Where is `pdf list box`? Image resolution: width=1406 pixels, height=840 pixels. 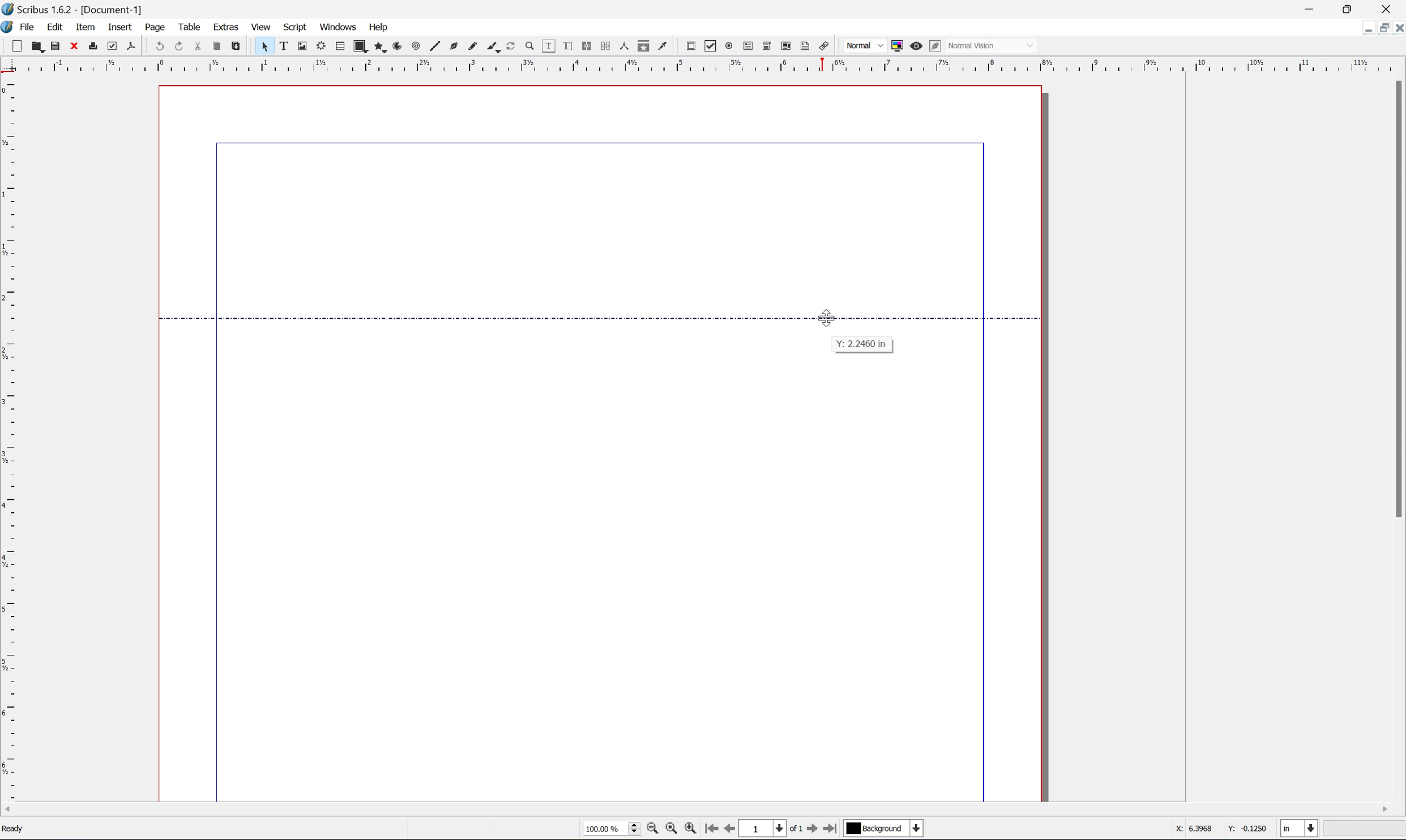 pdf list box is located at coordinates (788, 46).